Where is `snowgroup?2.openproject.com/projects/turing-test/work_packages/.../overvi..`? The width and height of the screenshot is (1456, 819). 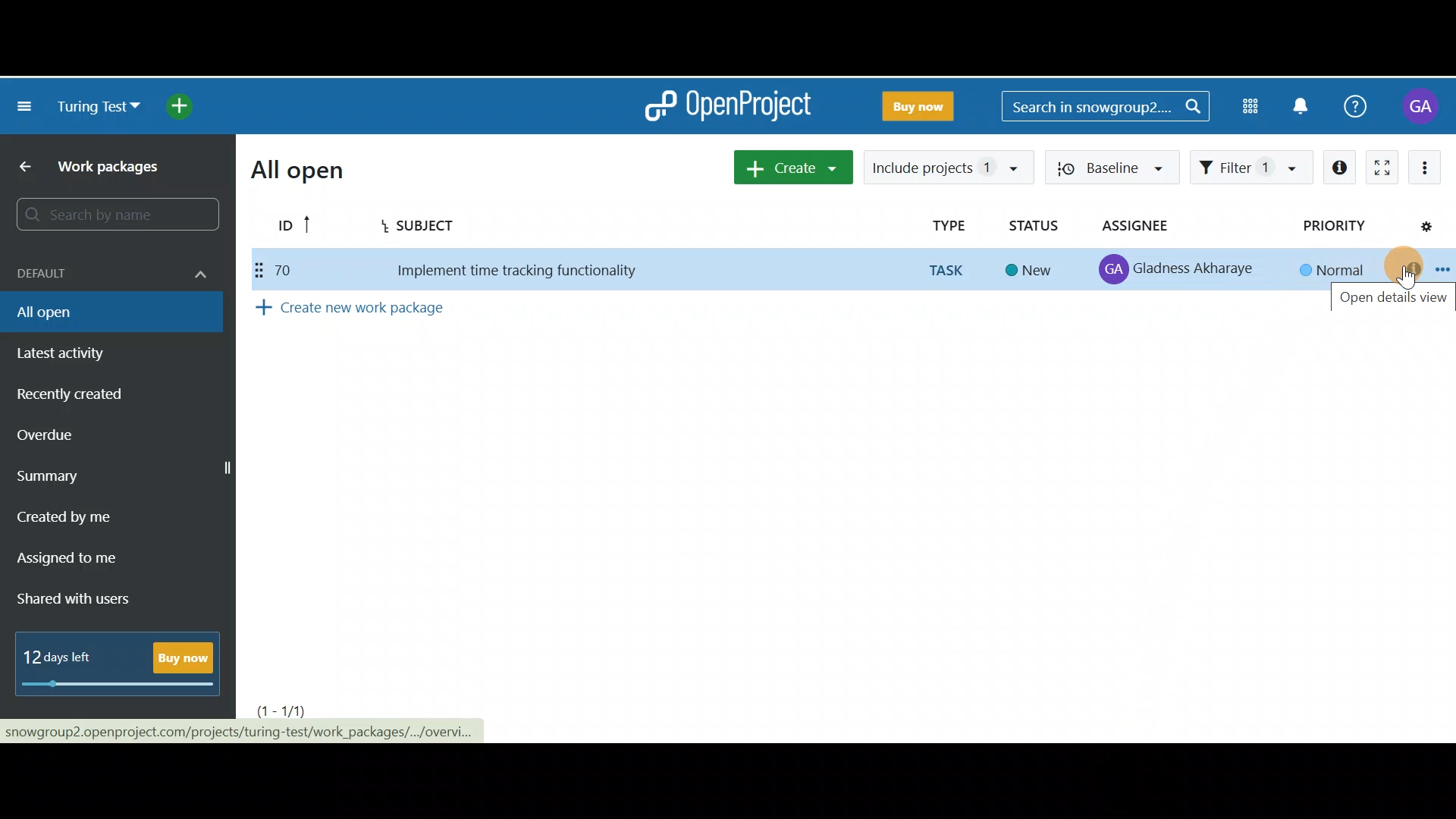
snowgroup?2.openproject.com/projects/turing-test/work_packages/.../overvi.. is located at coordinates (244, 732).